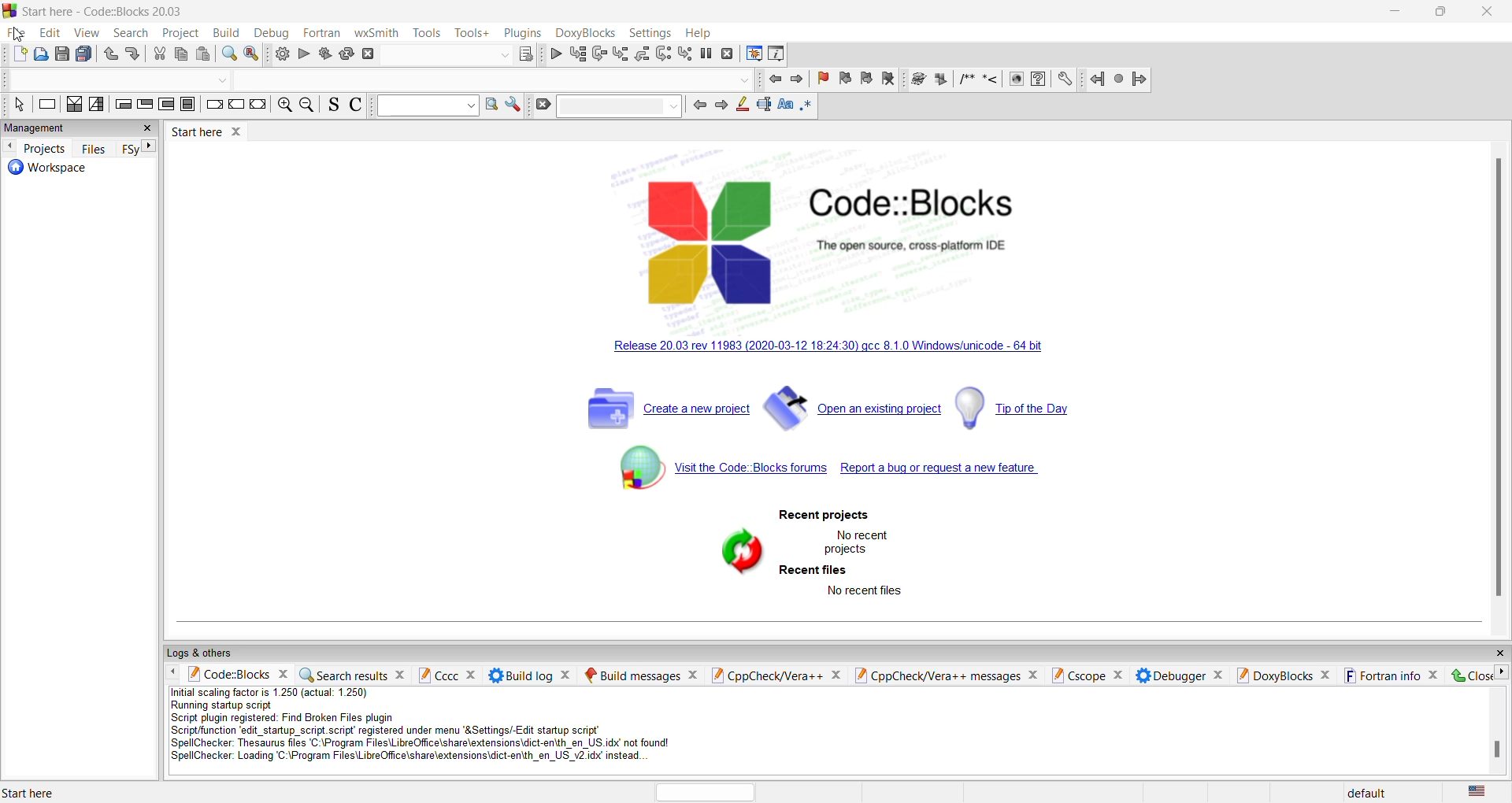 The height and width of the screenshot is (803, 1512). Describe the element at coordinates (229, 54) in the screenshot. I see `find` at that location.